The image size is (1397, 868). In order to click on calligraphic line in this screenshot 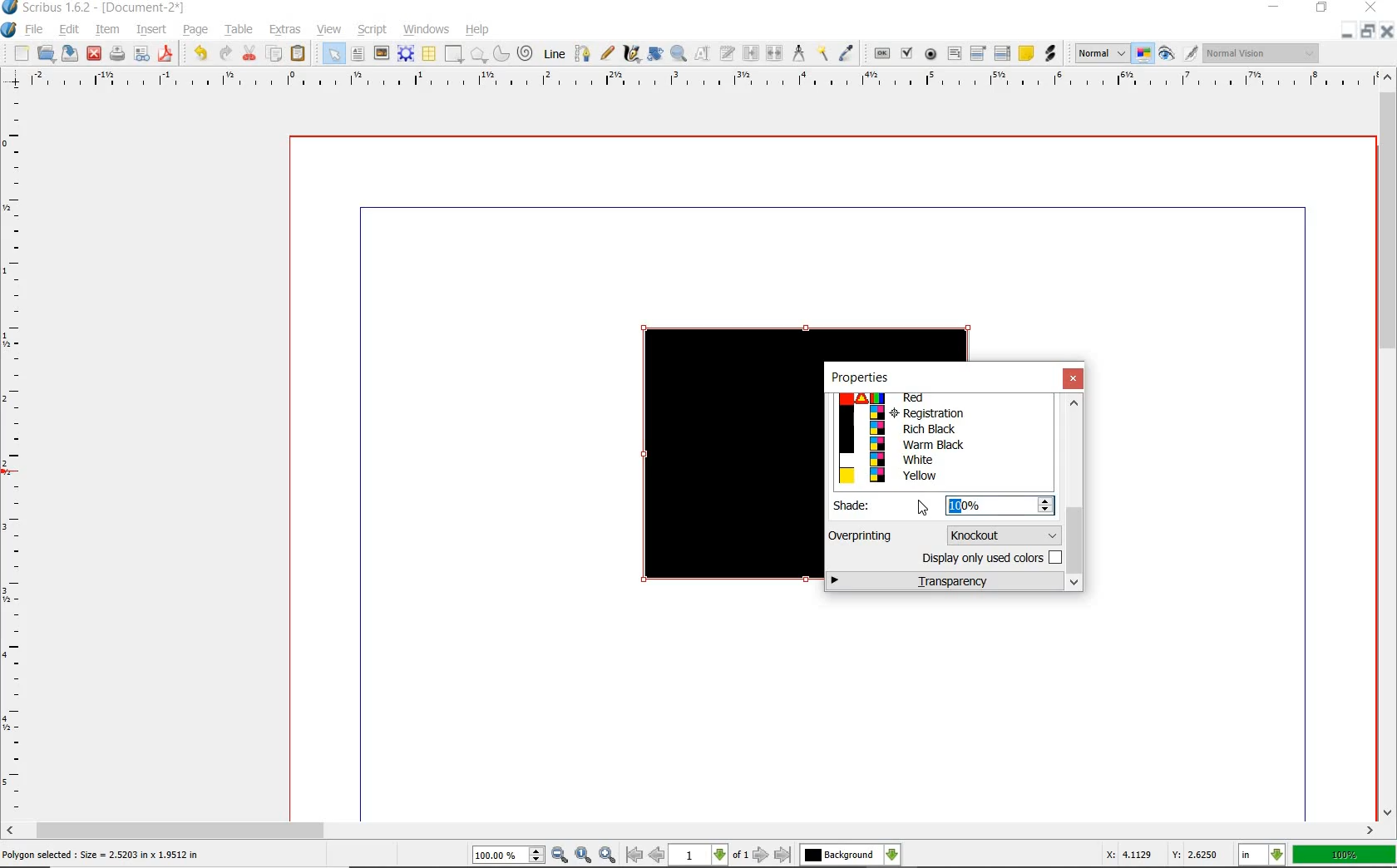, I will do `click(631, 54)`.